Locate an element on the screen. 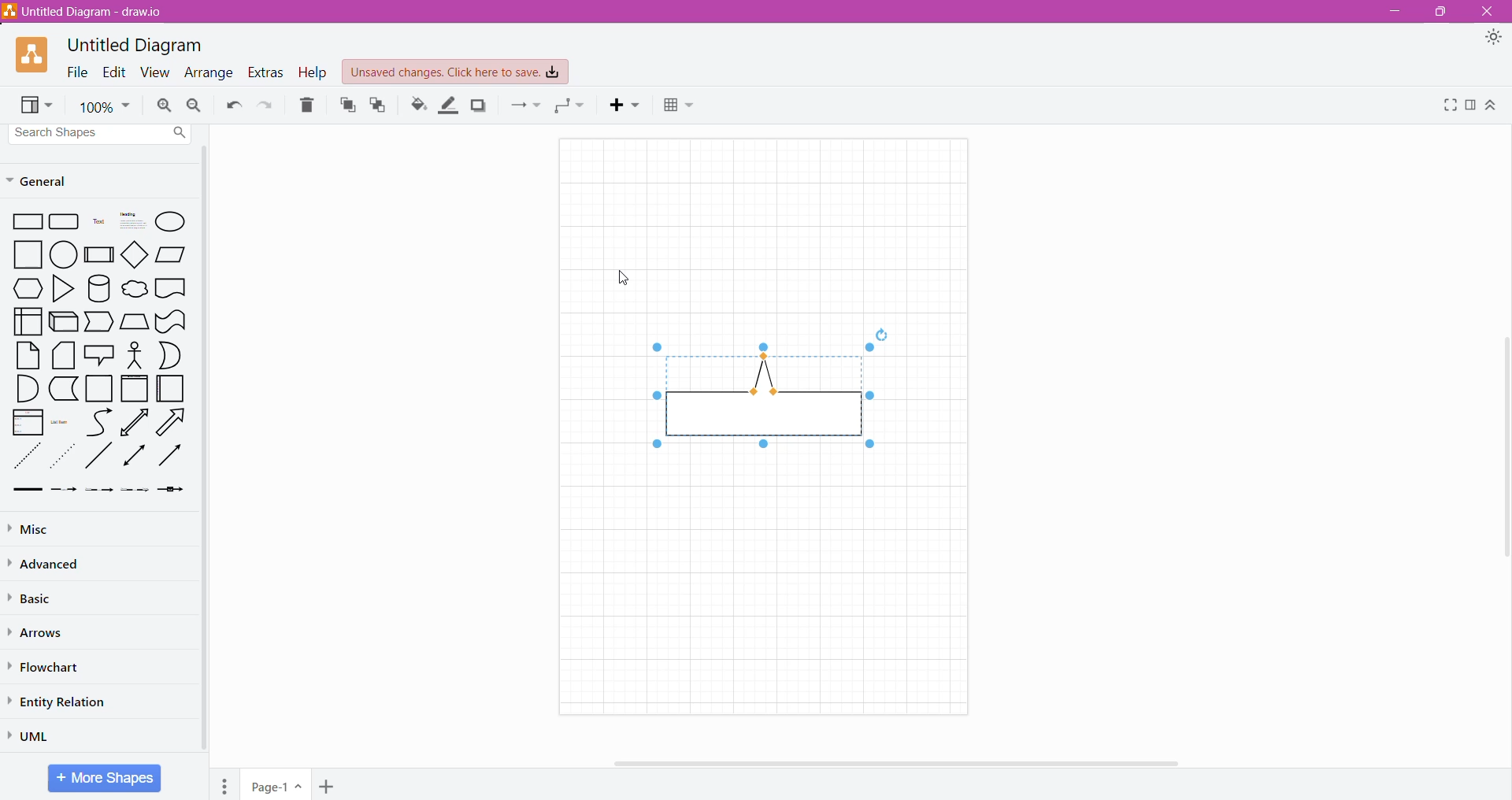 The width and height of the screenshot is (1512, 800). Close is located at coordinates (1489, 12).